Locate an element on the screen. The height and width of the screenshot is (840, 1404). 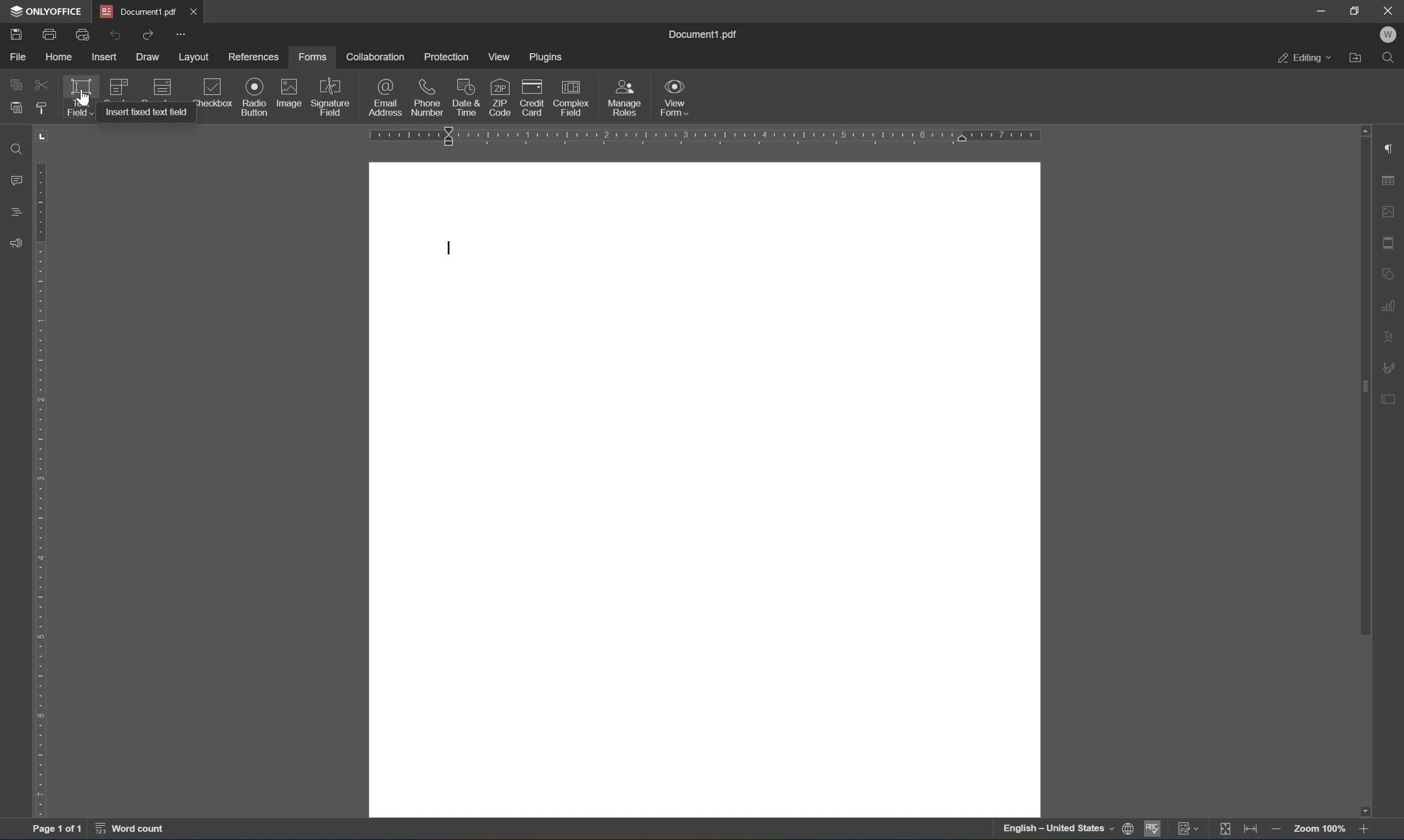
customize quick access toolbar is located at coordinates (182, 34).